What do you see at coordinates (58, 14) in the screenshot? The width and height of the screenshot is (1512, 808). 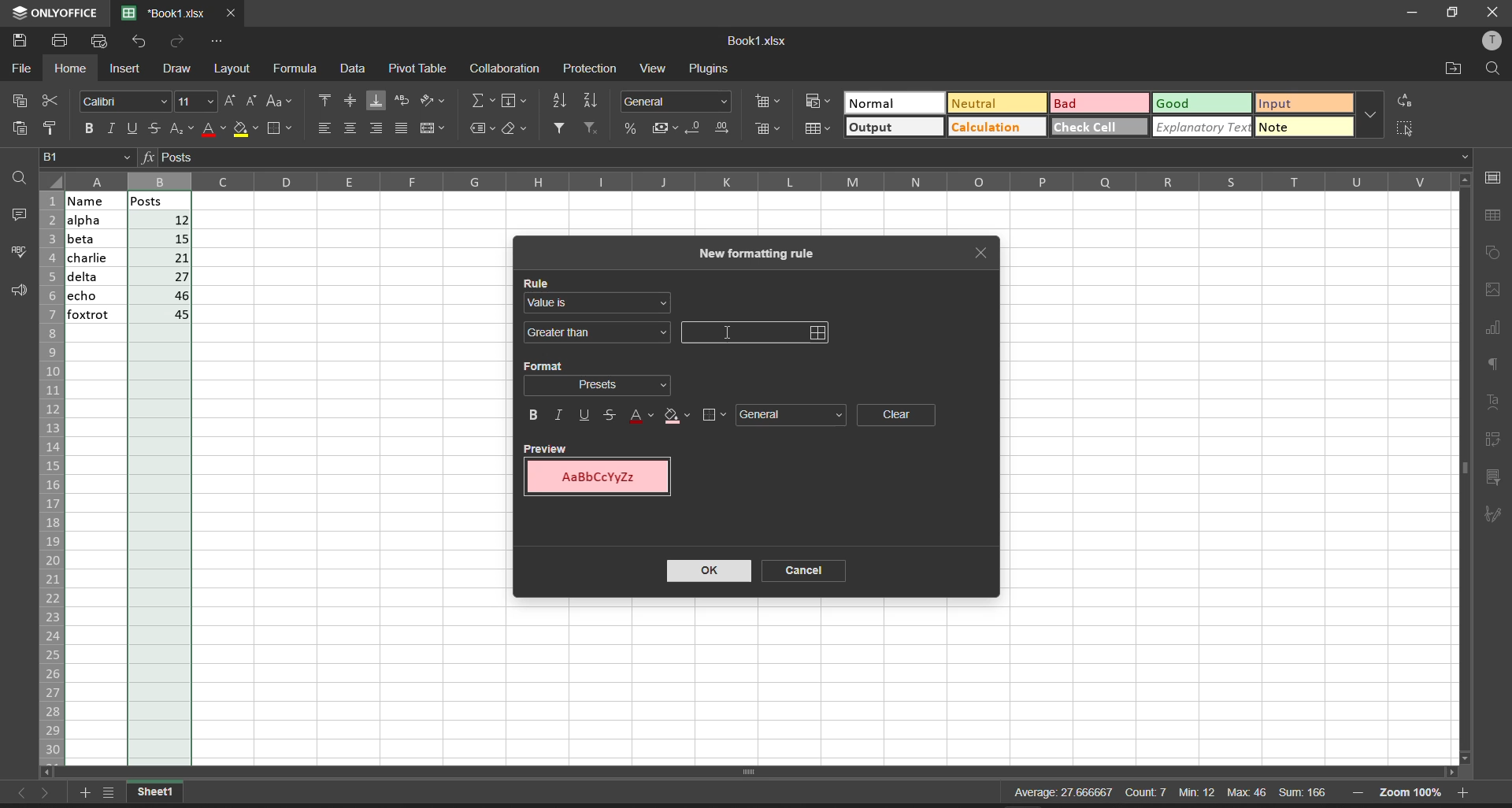 I see `onlyoffice` at bounding box center [58, 14].